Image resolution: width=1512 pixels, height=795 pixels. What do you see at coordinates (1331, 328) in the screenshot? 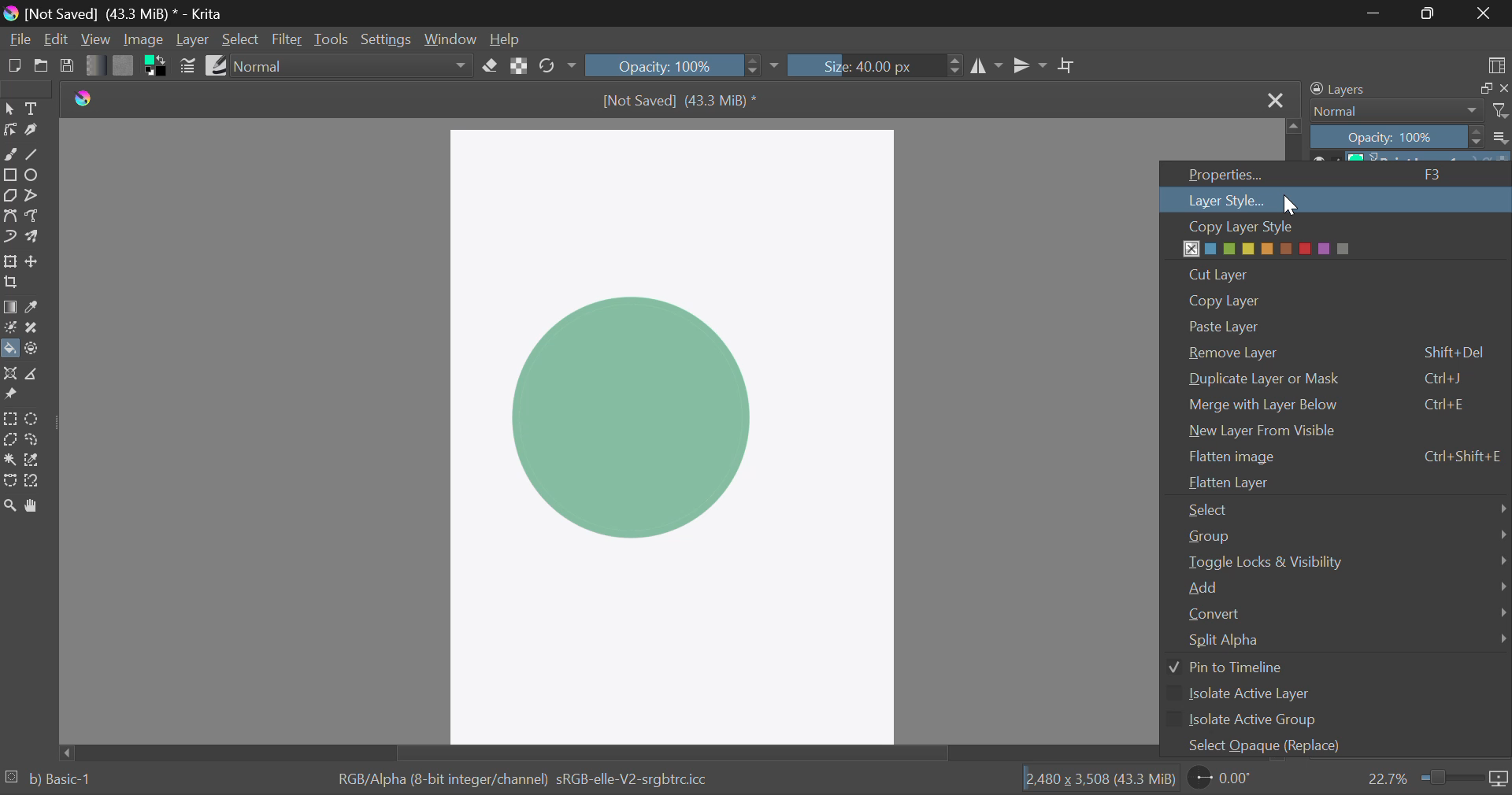
I see `Paste Layer` at bounding box center [1331, 328].